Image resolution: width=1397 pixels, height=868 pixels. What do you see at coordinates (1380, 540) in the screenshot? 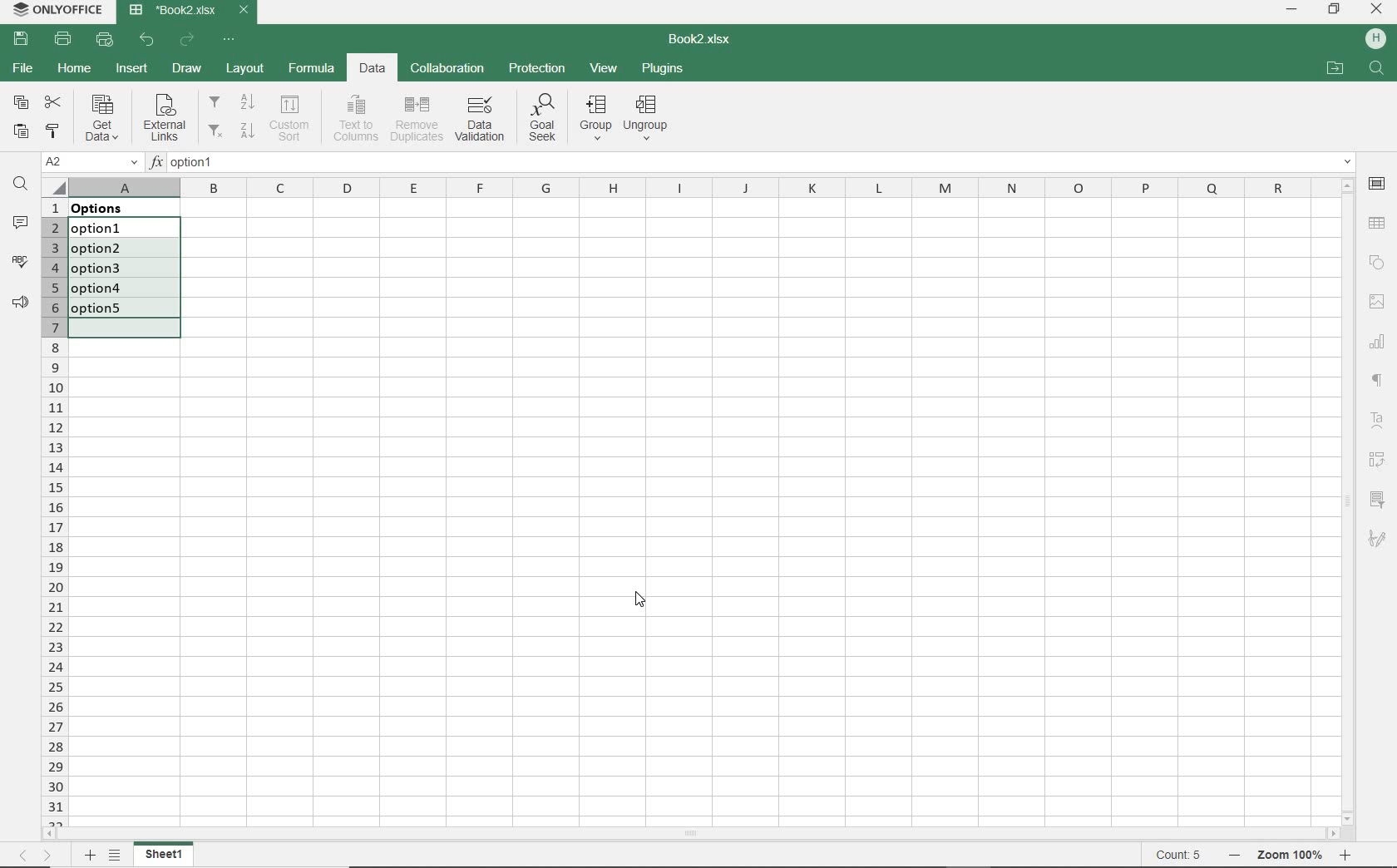
I see `sketch` at bounding box center [1380, 540].